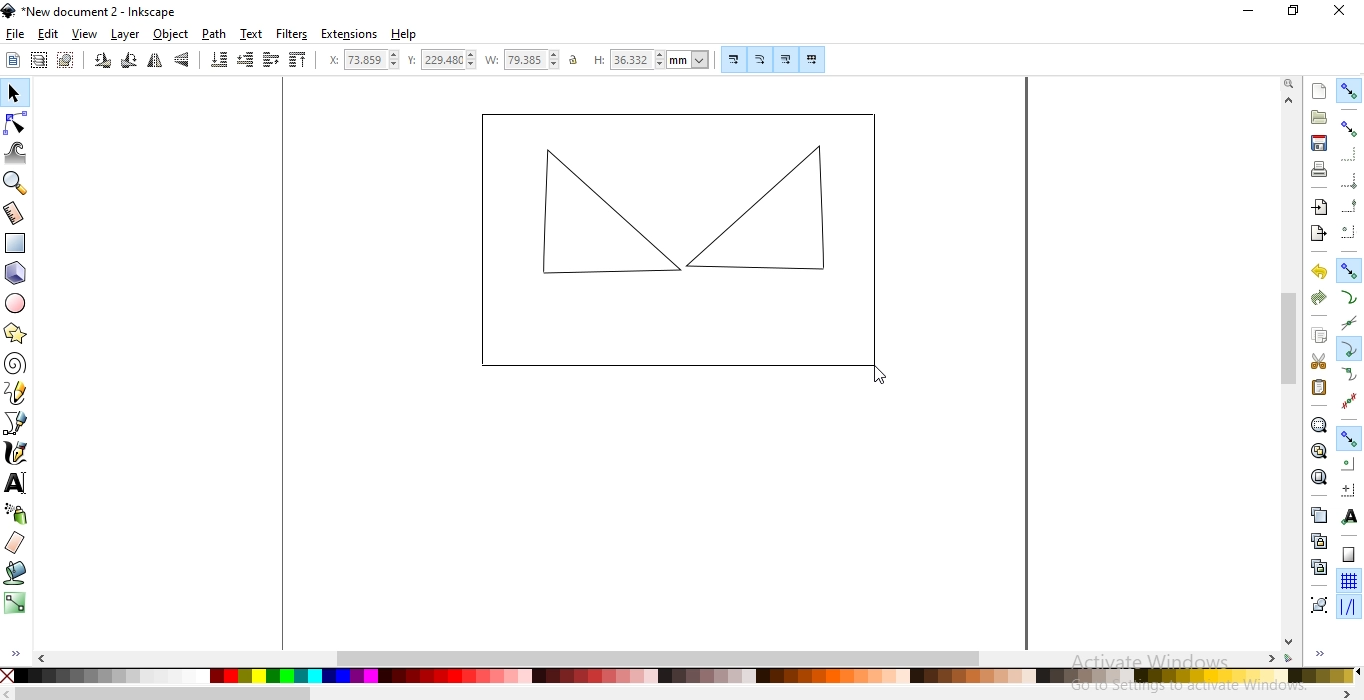 The width and height of the screenshot is (1364, 700). Describe the element at coordinates (15, 244) in the screenshot. I see `create rectangles or squares` at that location.